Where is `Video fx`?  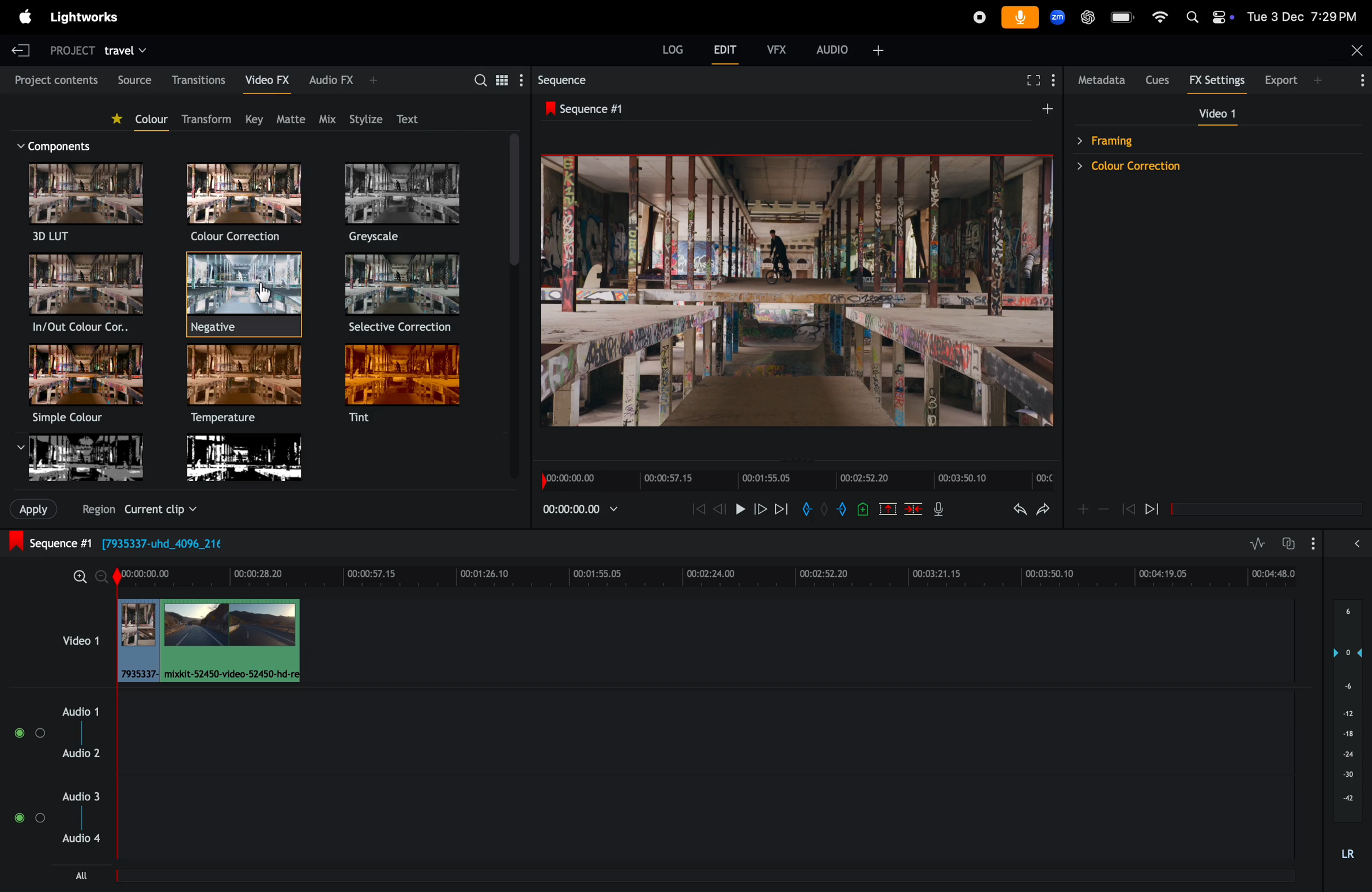 Video fx is located at coordinates (265, 79).